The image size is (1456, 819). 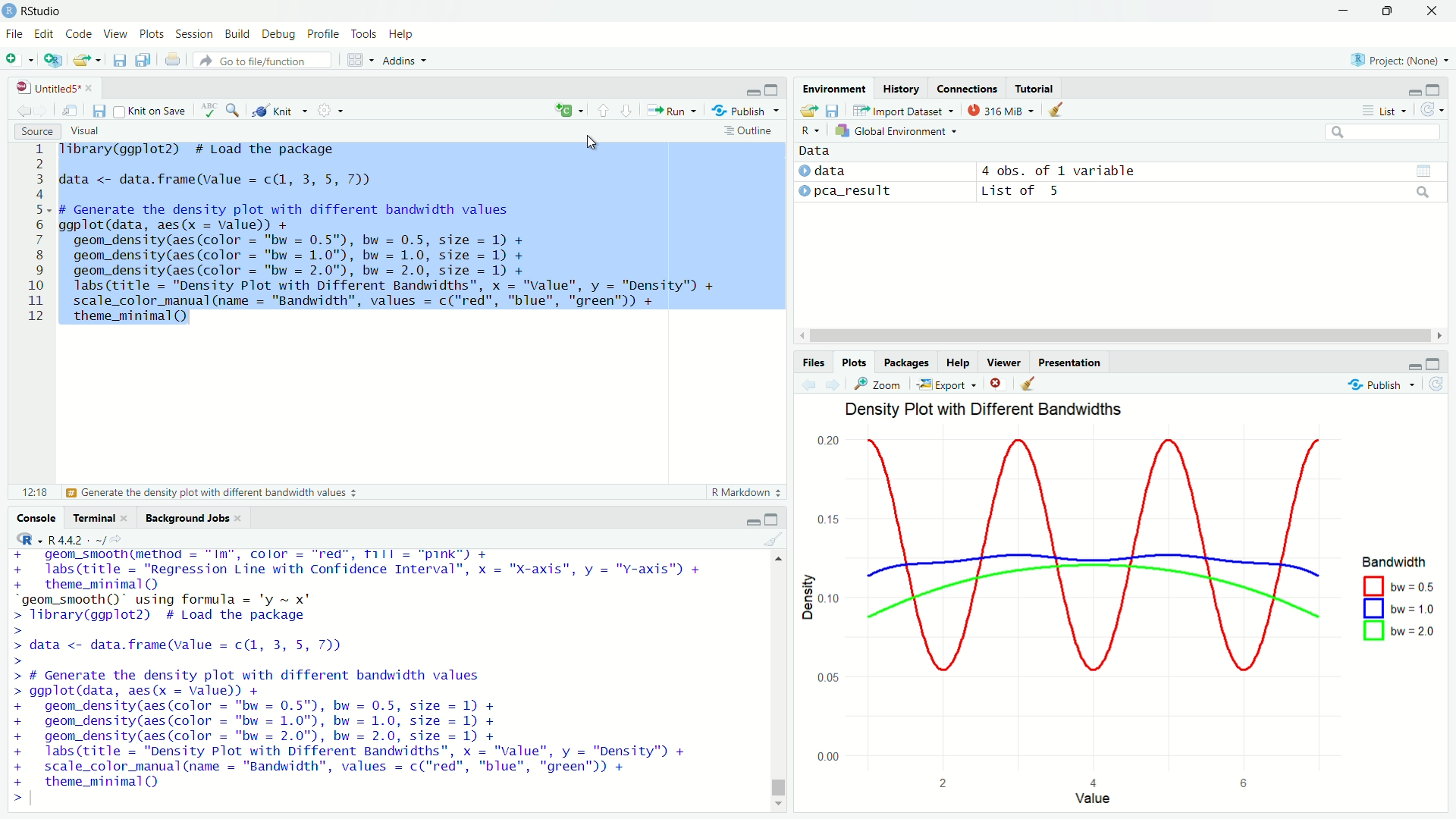 What do you see at coordinates (602, 109) in the screenshot?
I see `Go to previous section/chunk` at bounding box center [602, 109].